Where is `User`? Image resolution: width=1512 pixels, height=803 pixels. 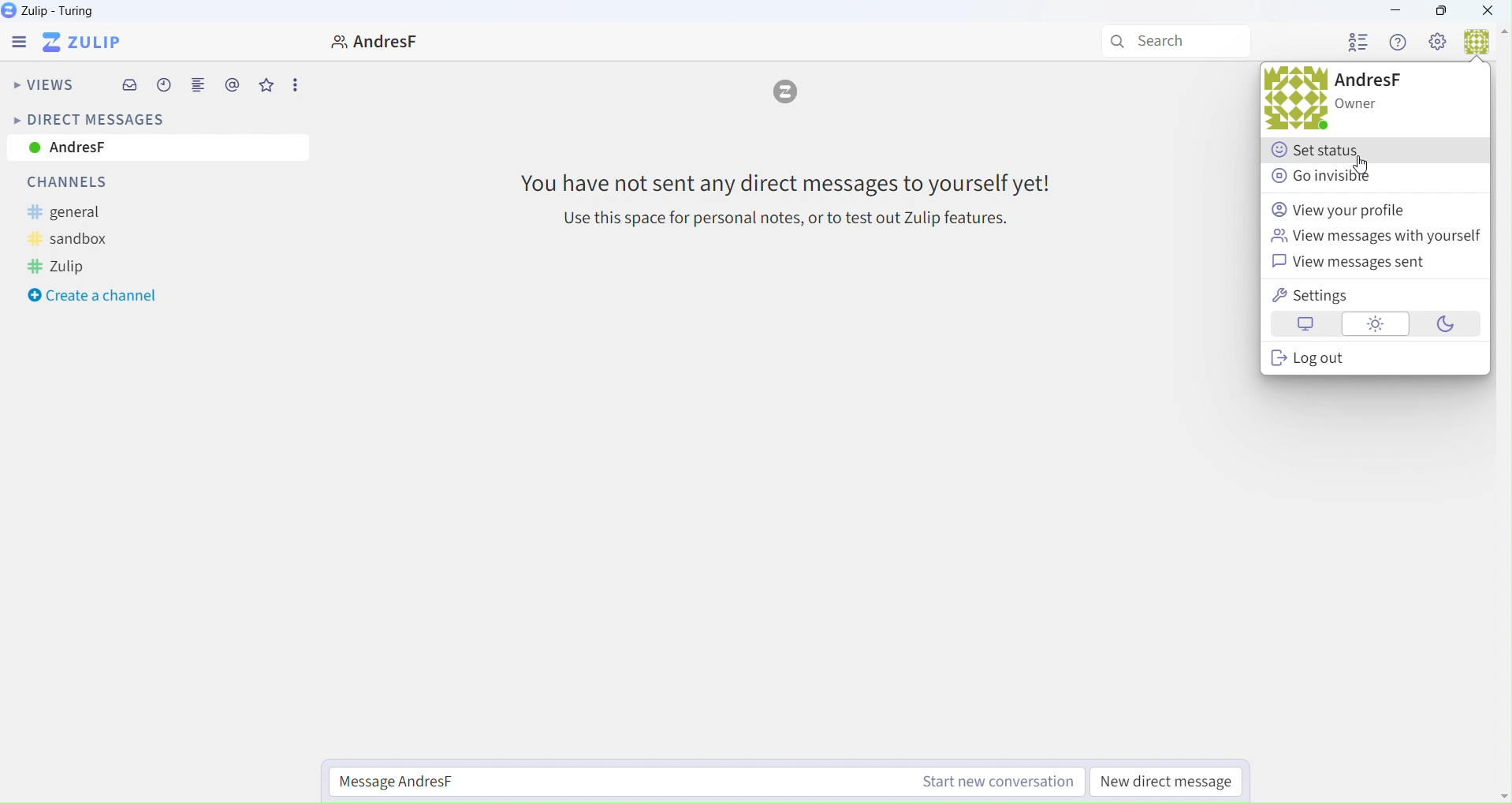 User is located at coordinates (367, 41).